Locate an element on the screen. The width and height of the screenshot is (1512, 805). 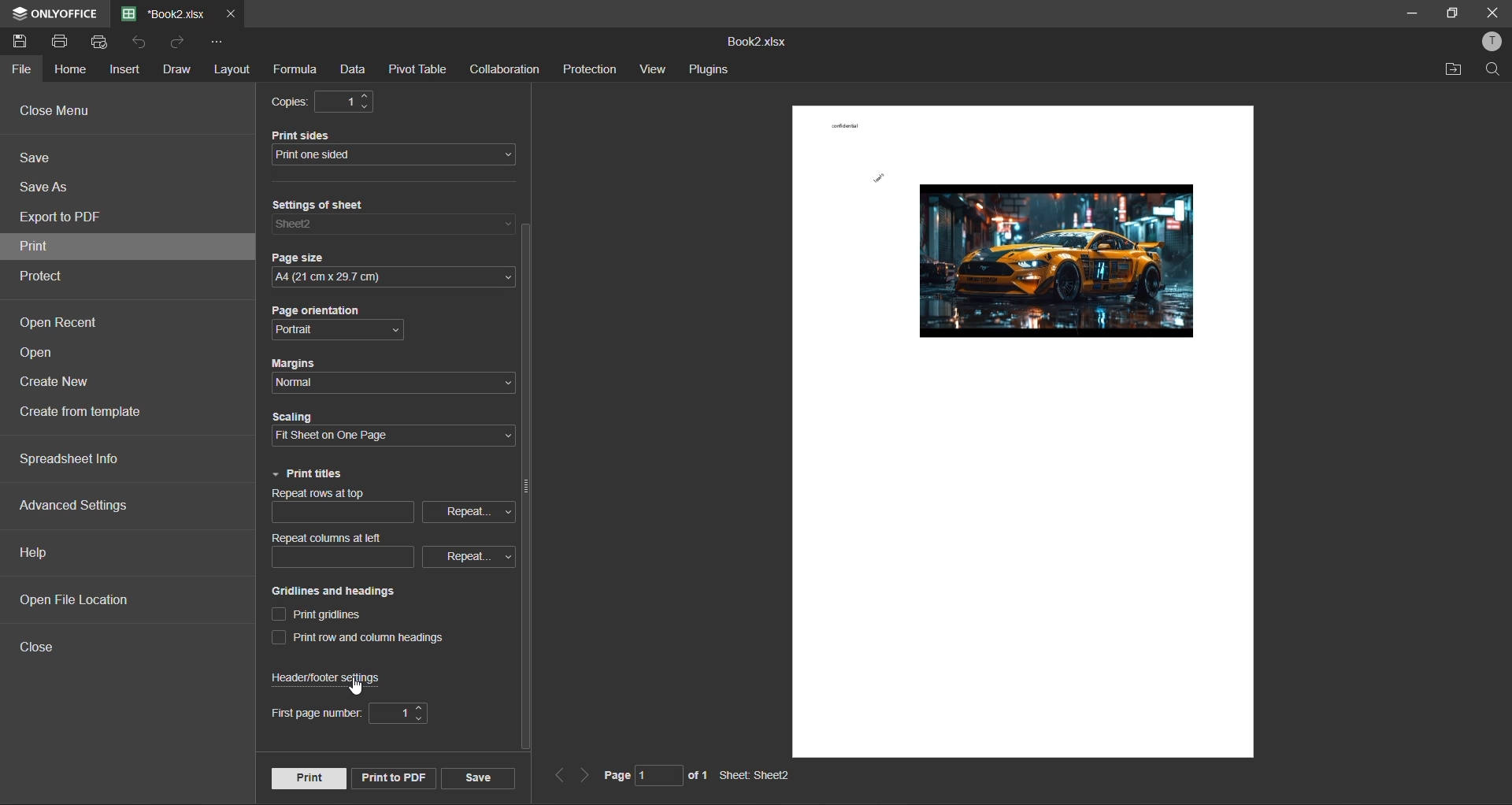
print sides is located at coordinates (396, 156).